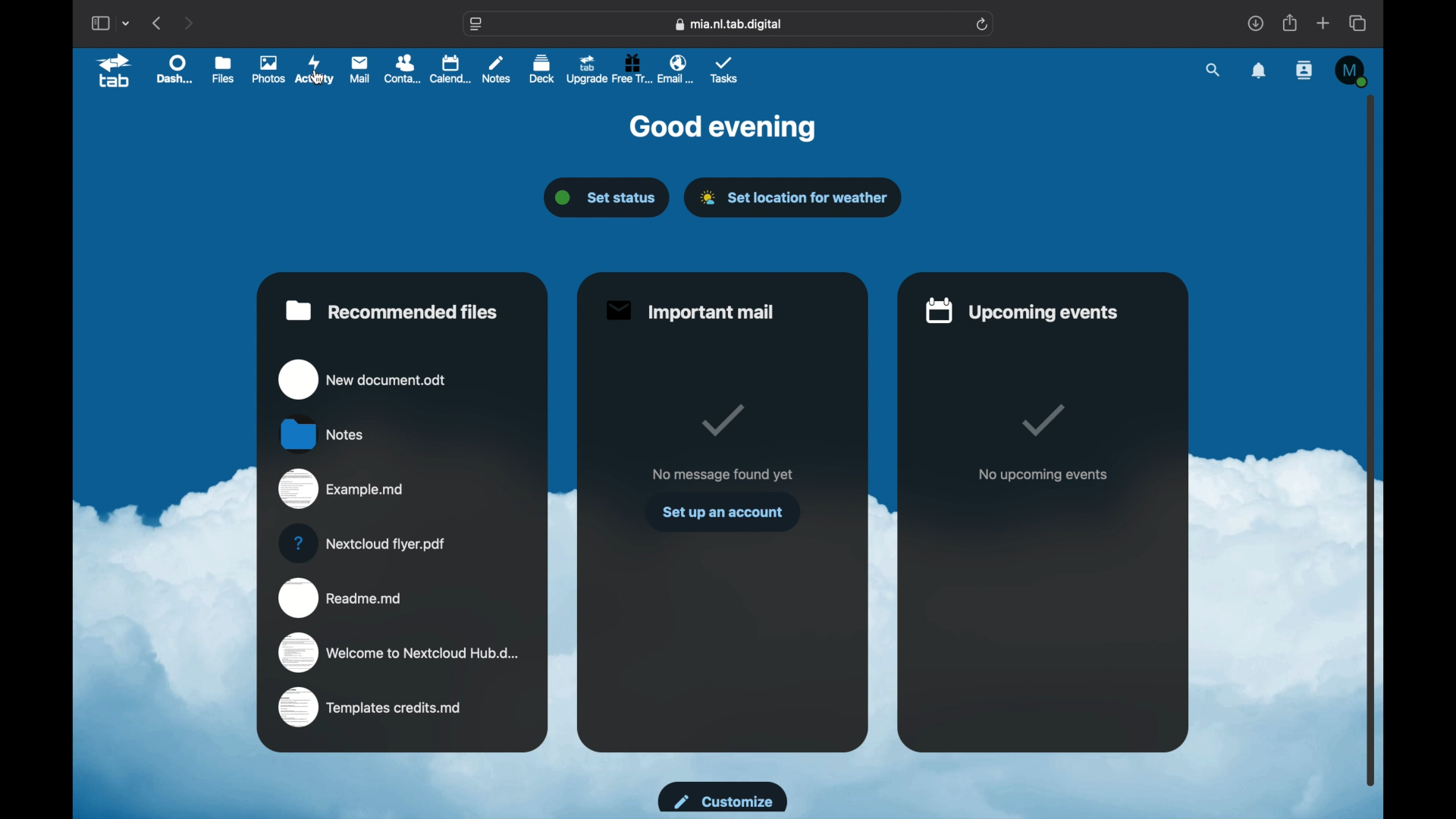 The image size is (1456, 819). Describe the element at coordinates (1288, 22) in the screenshot. I see `share` at that location.